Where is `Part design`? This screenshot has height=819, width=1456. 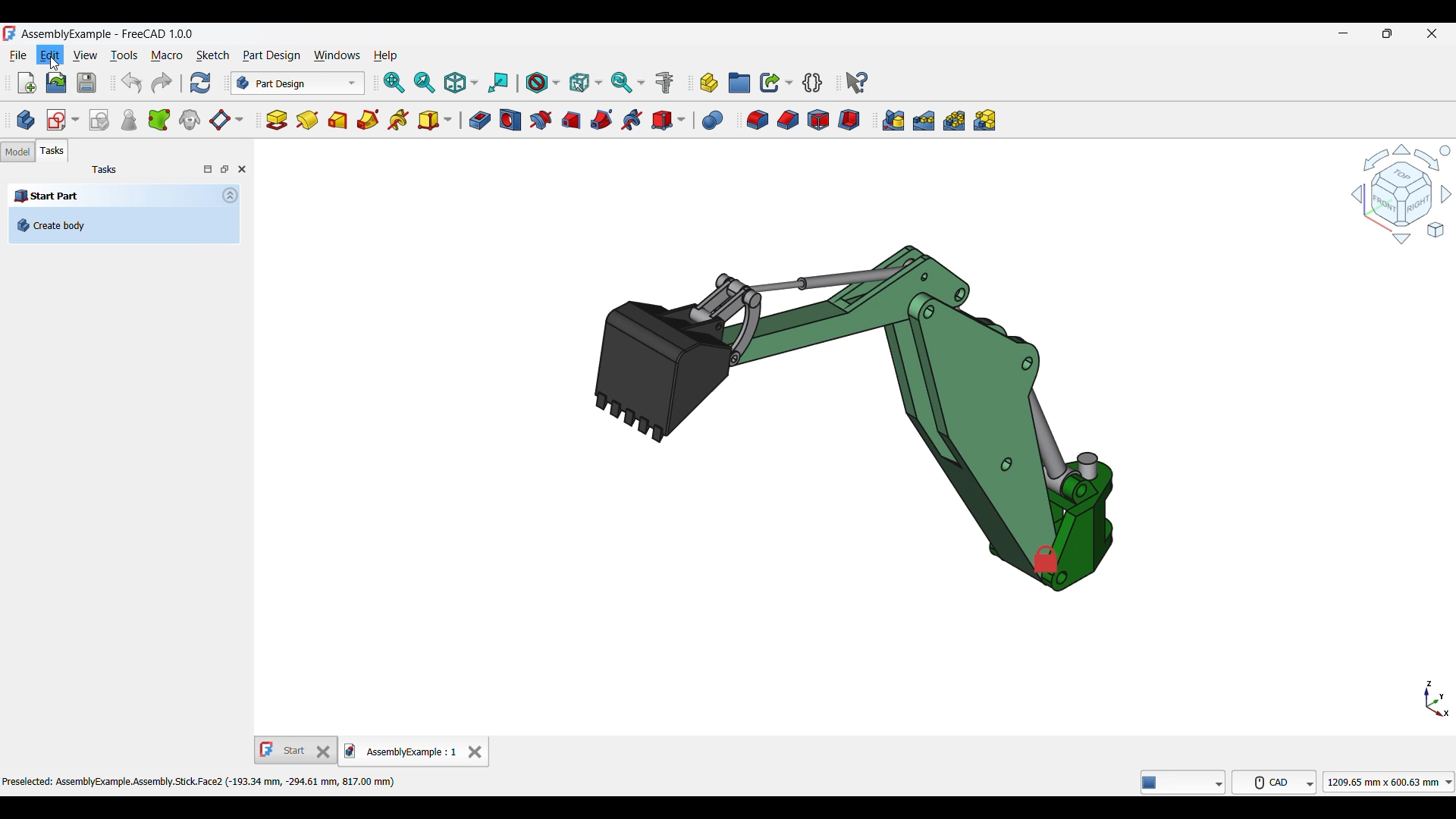
Part design is located at coordinates (298, 83).